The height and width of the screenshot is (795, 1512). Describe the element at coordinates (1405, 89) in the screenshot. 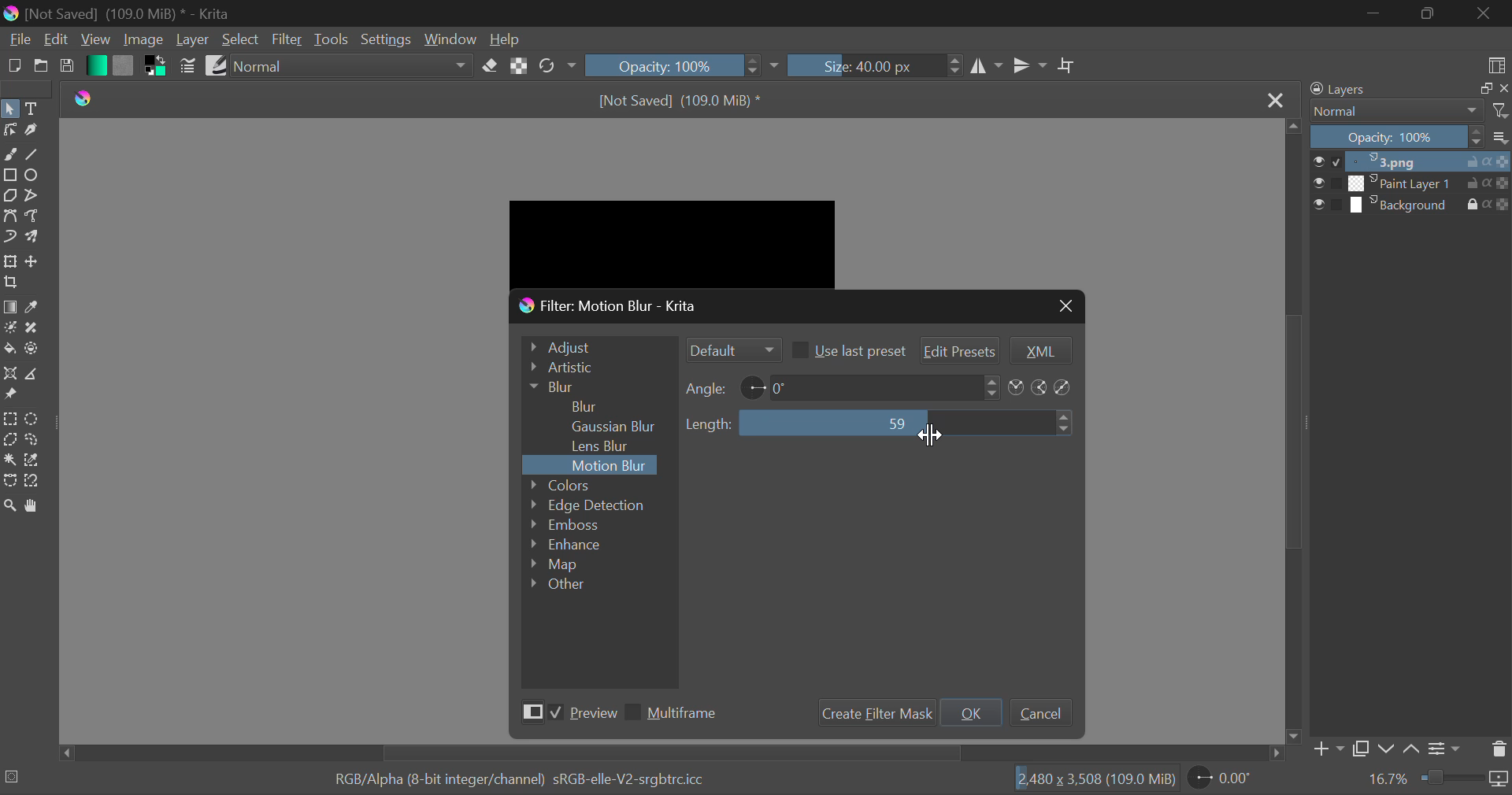

I see `Layers` at that location.